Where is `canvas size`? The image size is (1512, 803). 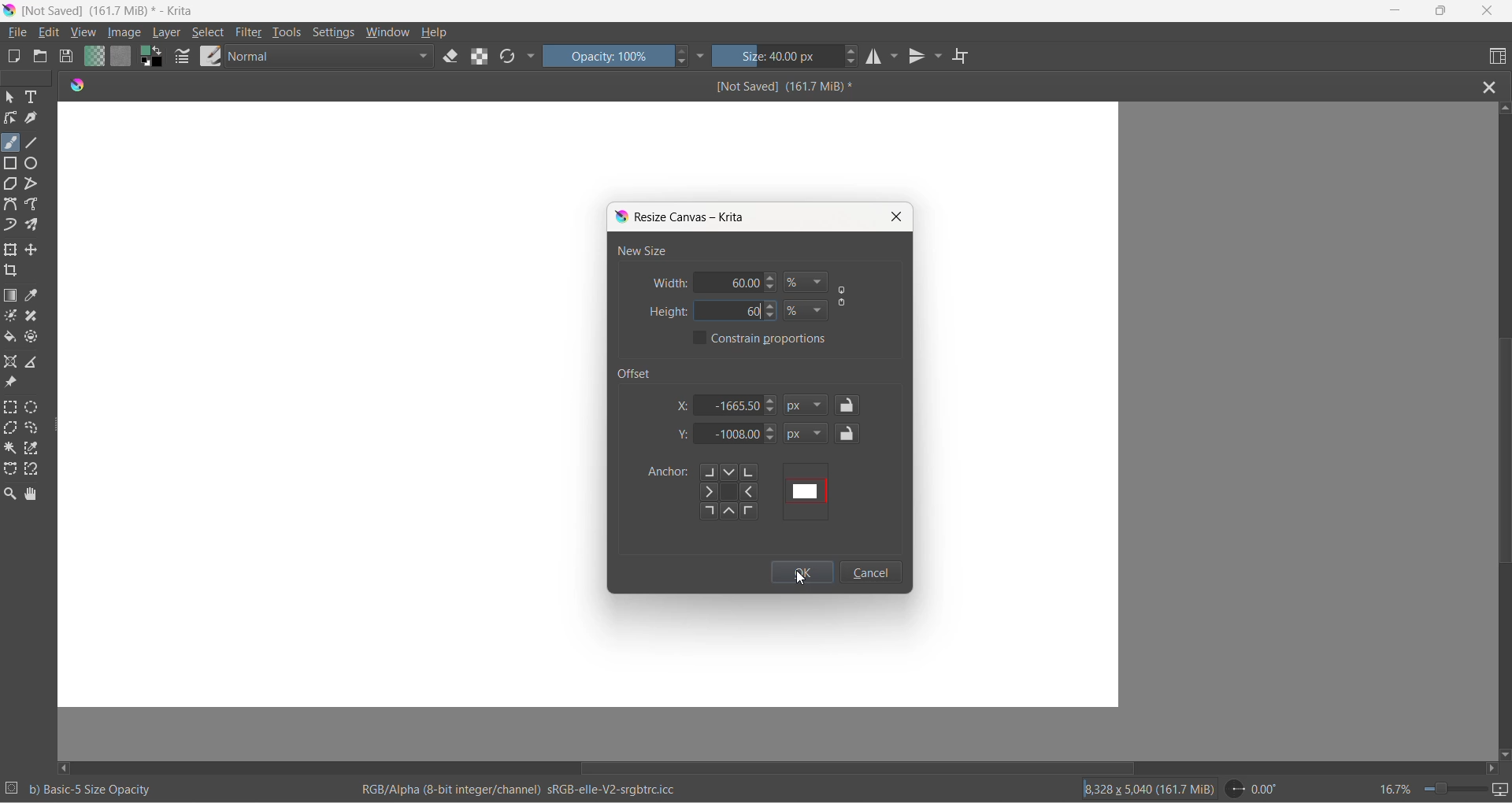
canvas size is located at coordinates (589, 150).